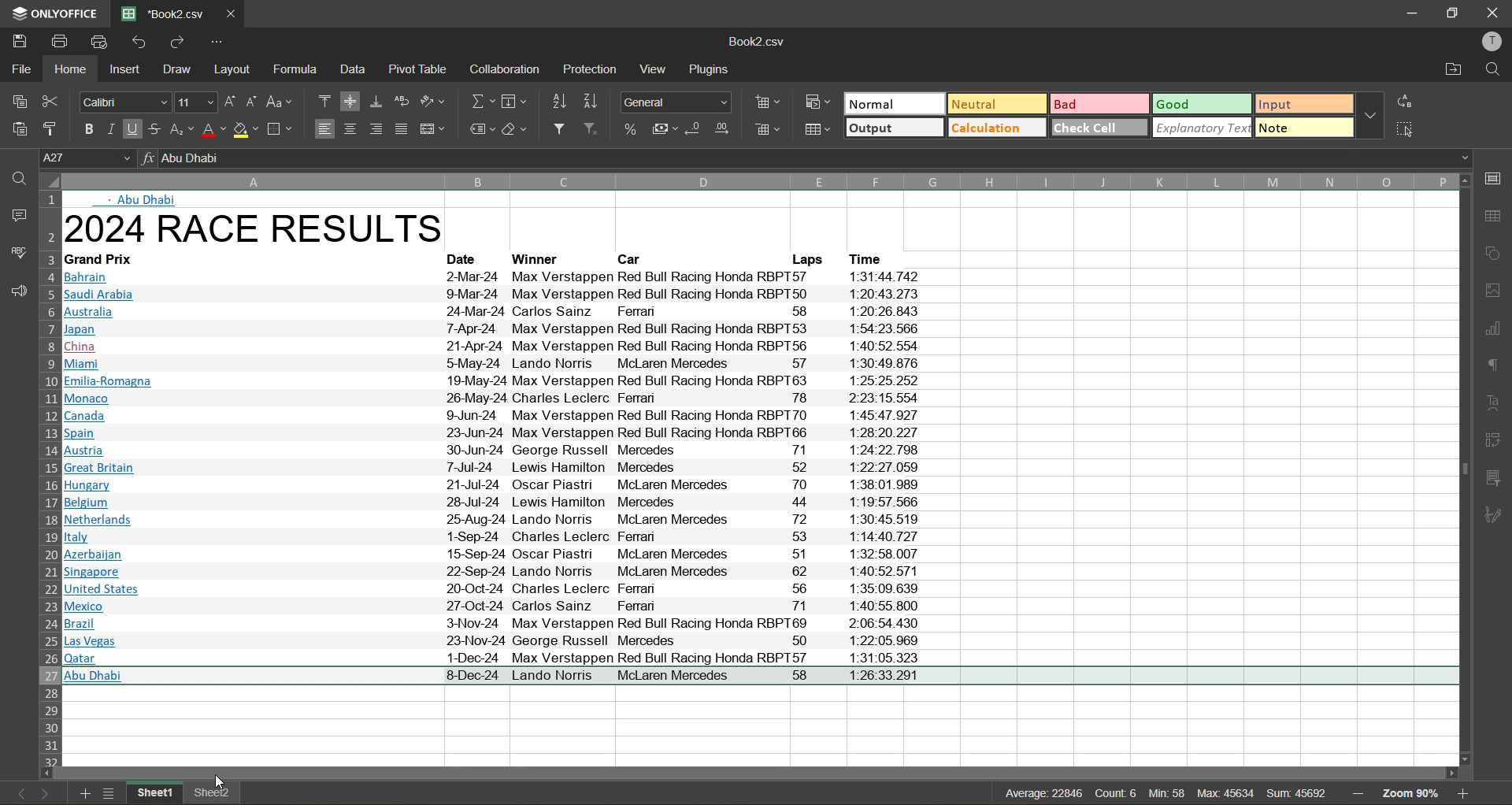 Image resolution: width=1512 pixels, height=805 pixels. I want to click on next, so click(43, 793).